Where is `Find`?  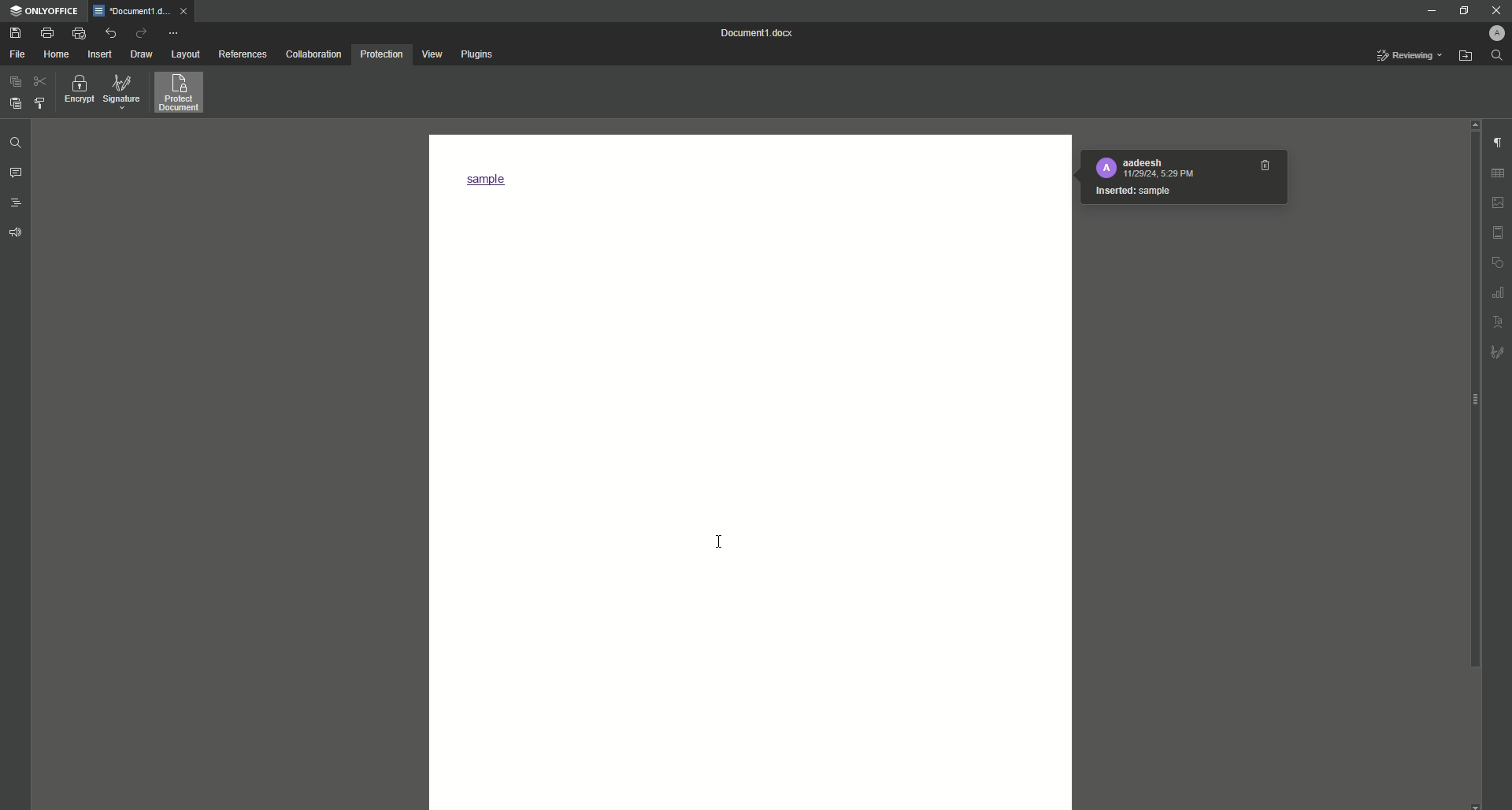
Find is located at coordinates (1499, 55).